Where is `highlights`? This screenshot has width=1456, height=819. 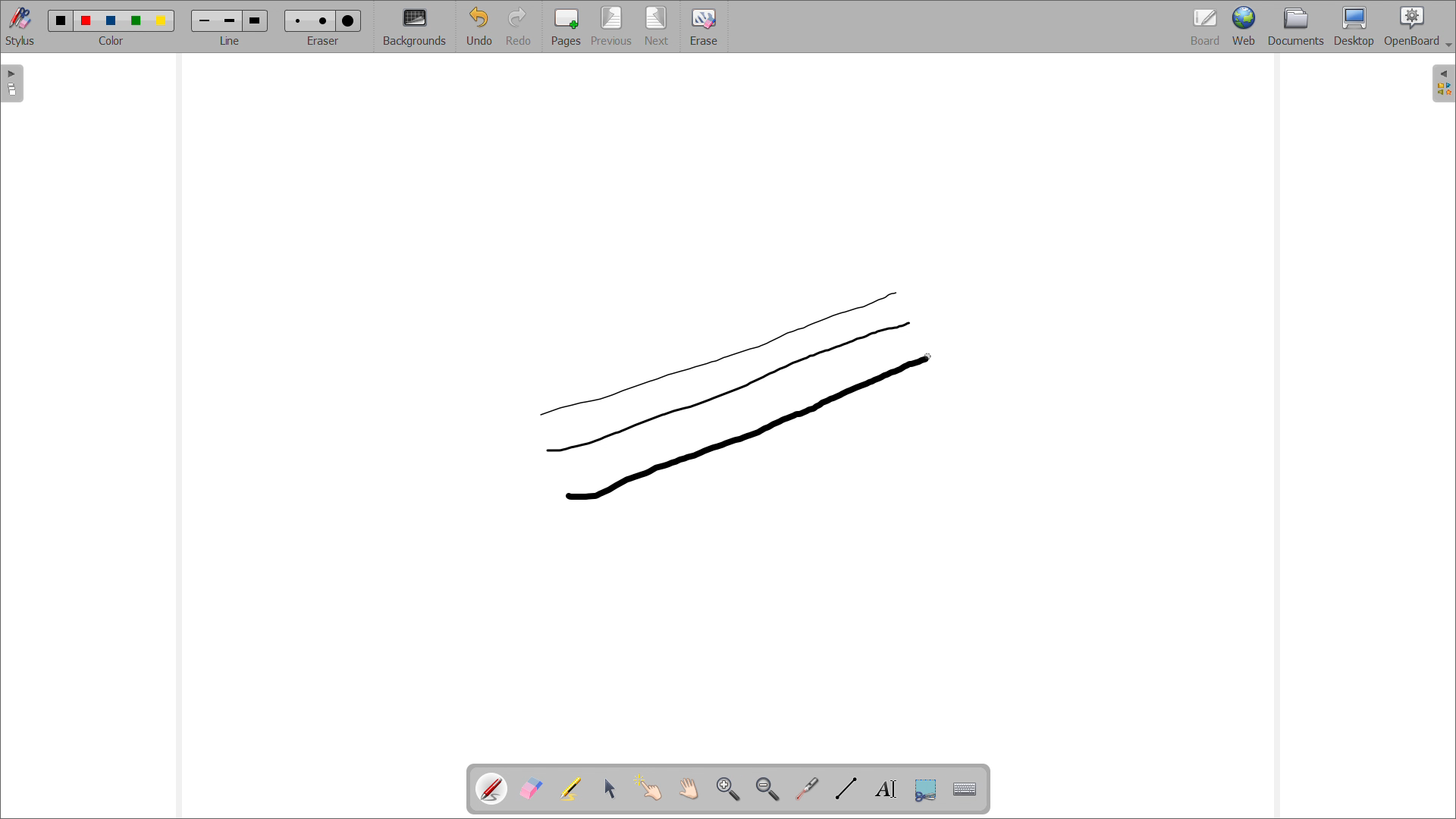
highlights is located at coordinates (571, 789).